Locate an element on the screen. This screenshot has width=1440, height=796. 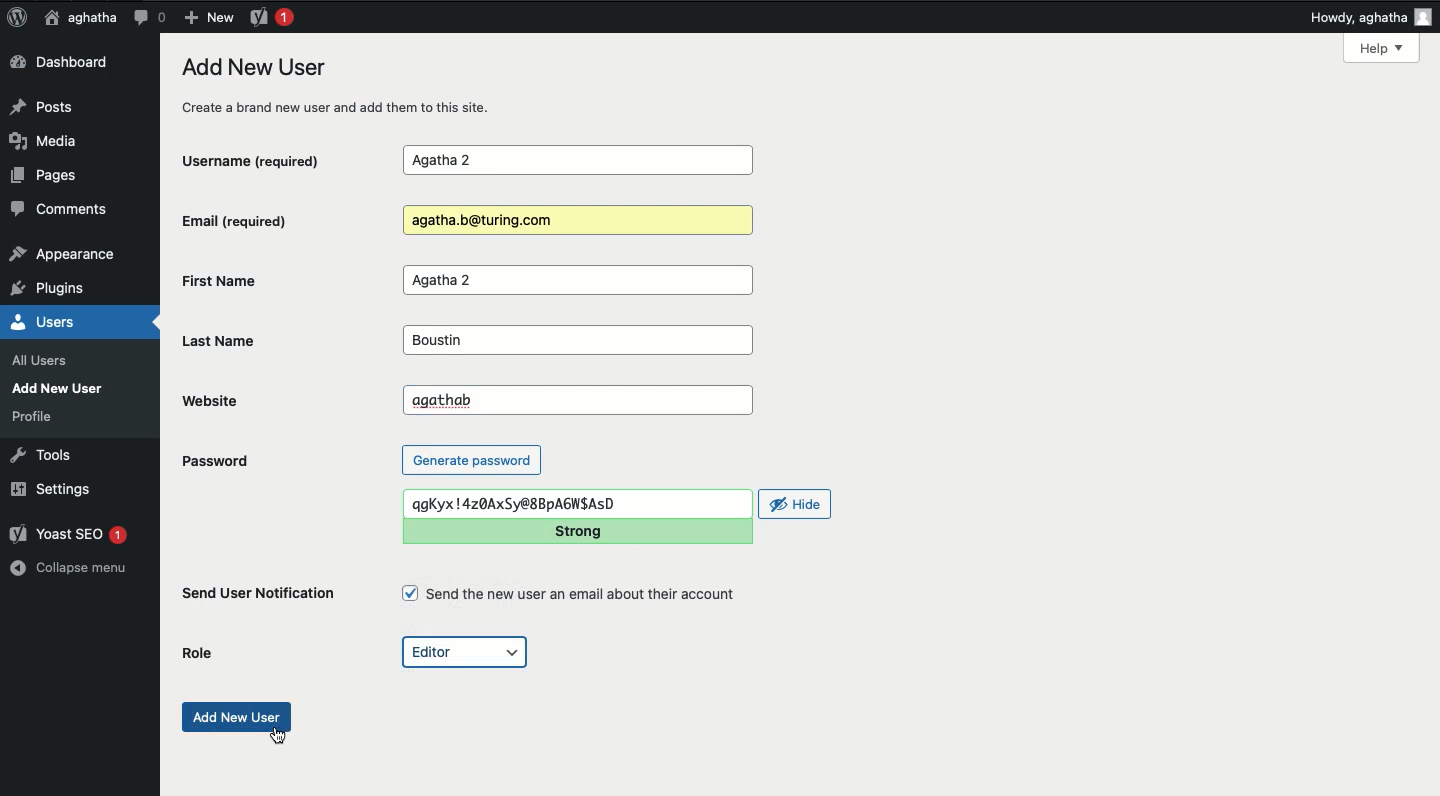
Agatha.b@turing.com is located at coordinates (574, 221).